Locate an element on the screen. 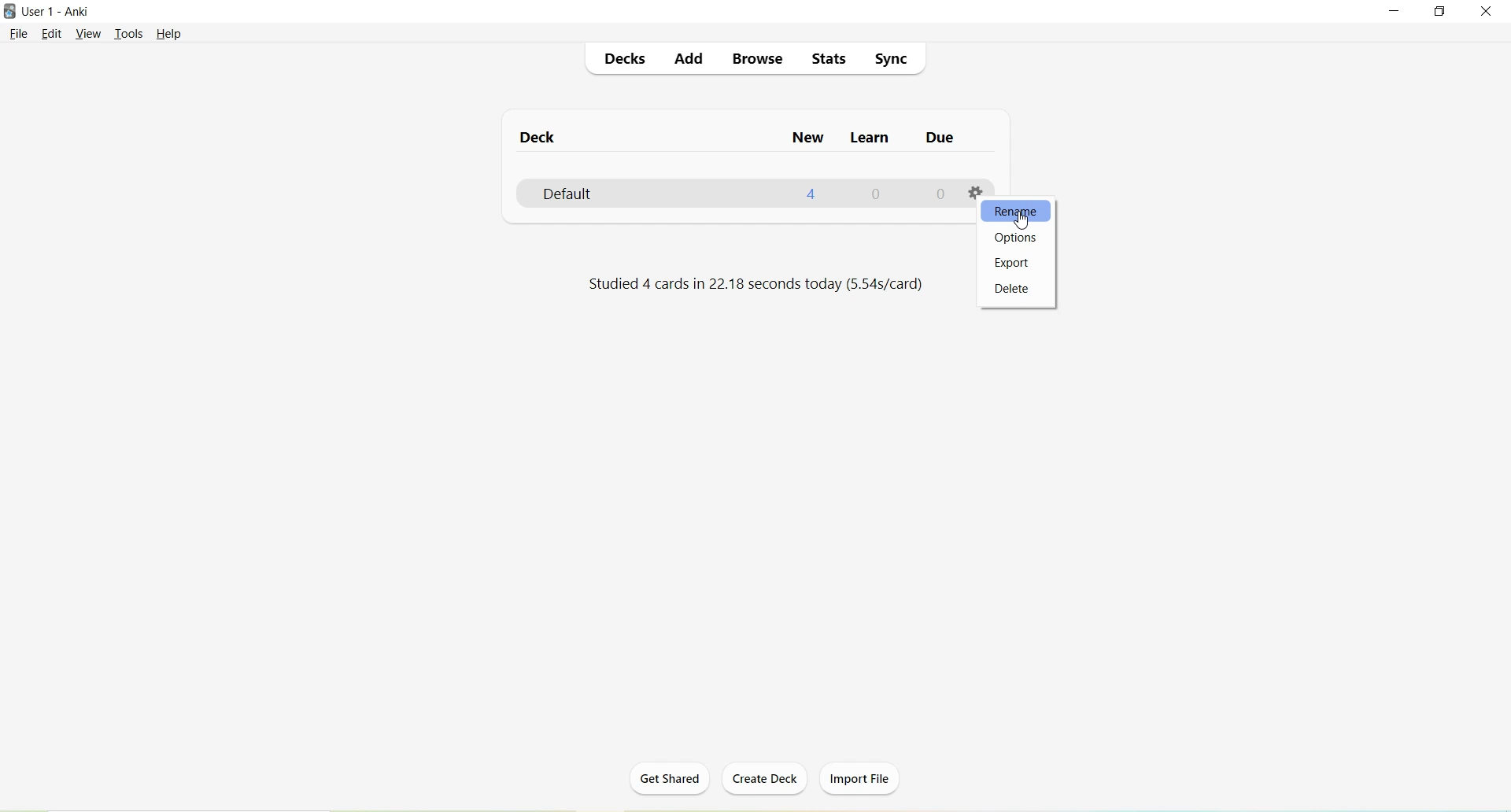  0 is located at coordinates (877, 194).